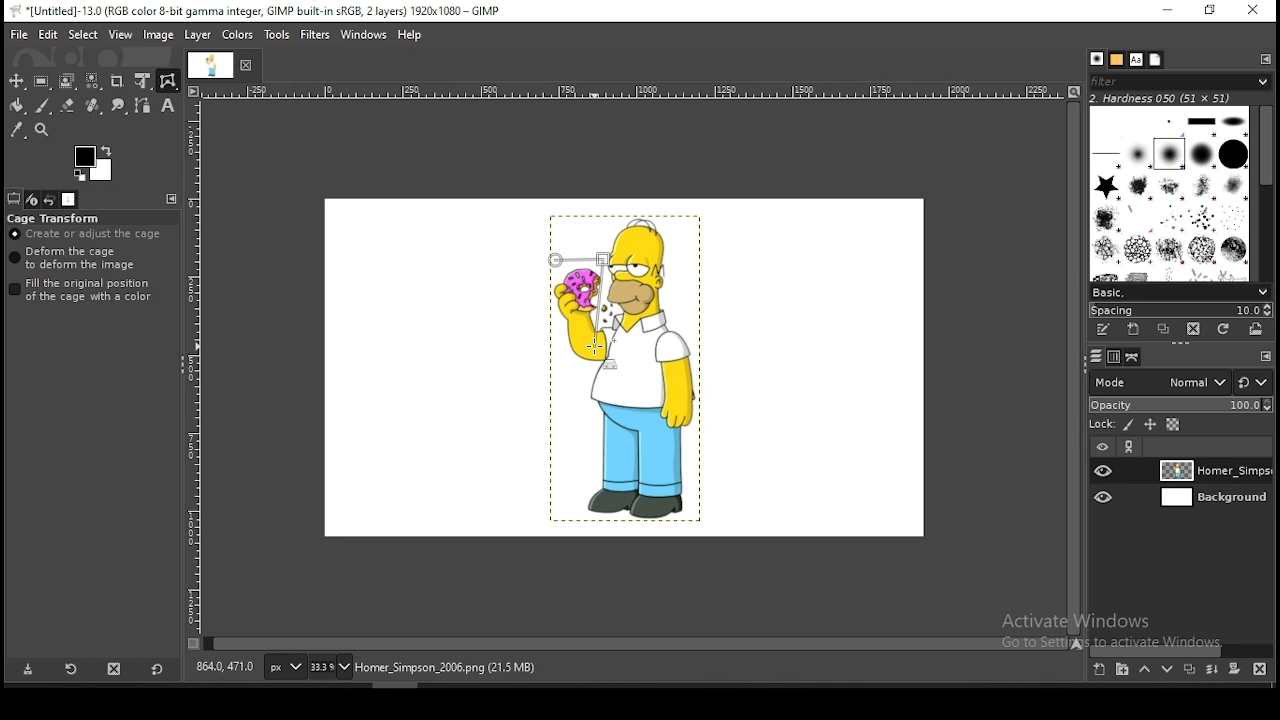 This screenshot has height=720, width=1280. Describe the element at coordinates (1264, 190) in the screenshot. I see `scroll bar` at that location.